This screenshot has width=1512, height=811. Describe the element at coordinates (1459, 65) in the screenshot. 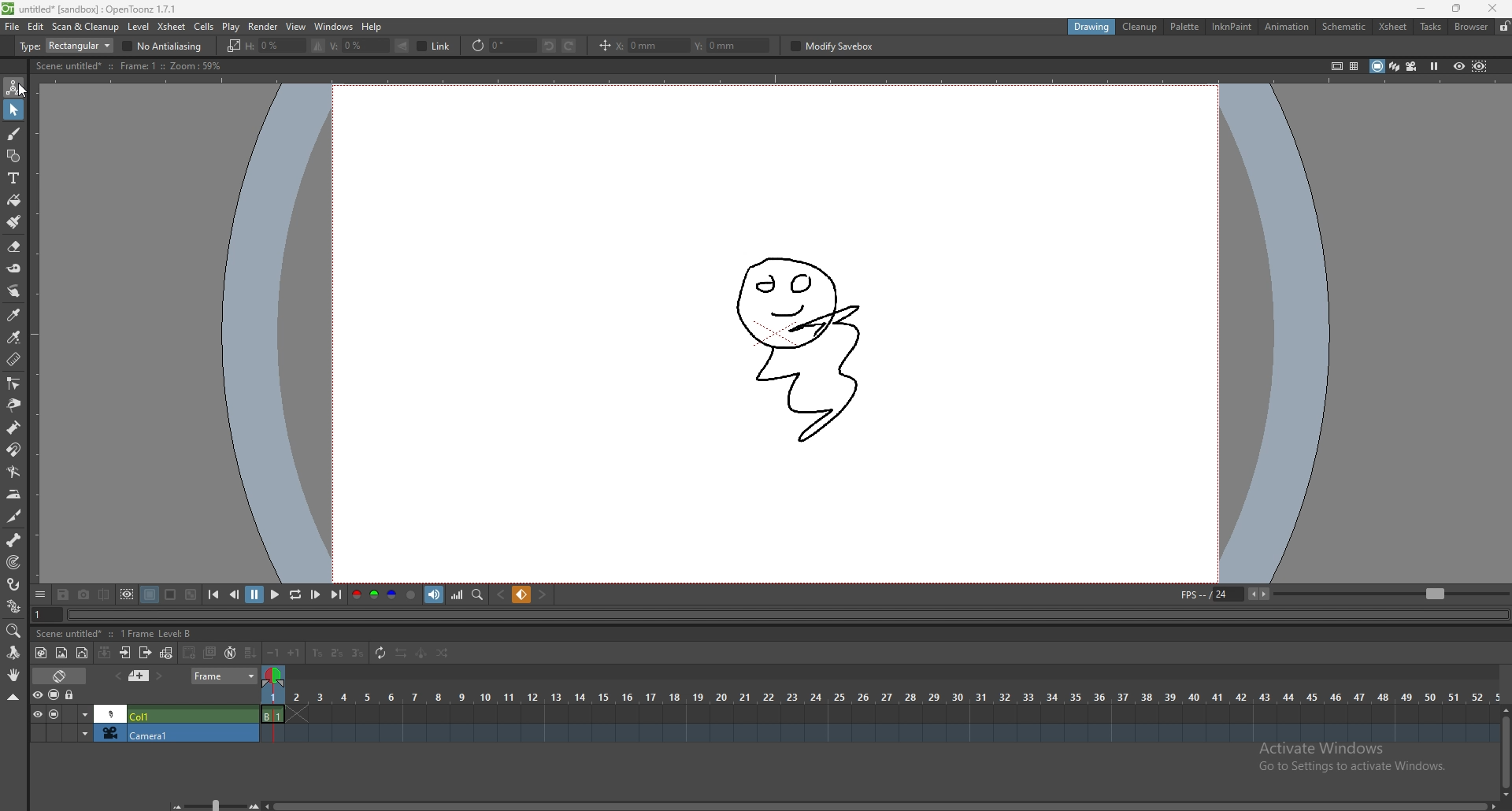

I see `preview` at that location.